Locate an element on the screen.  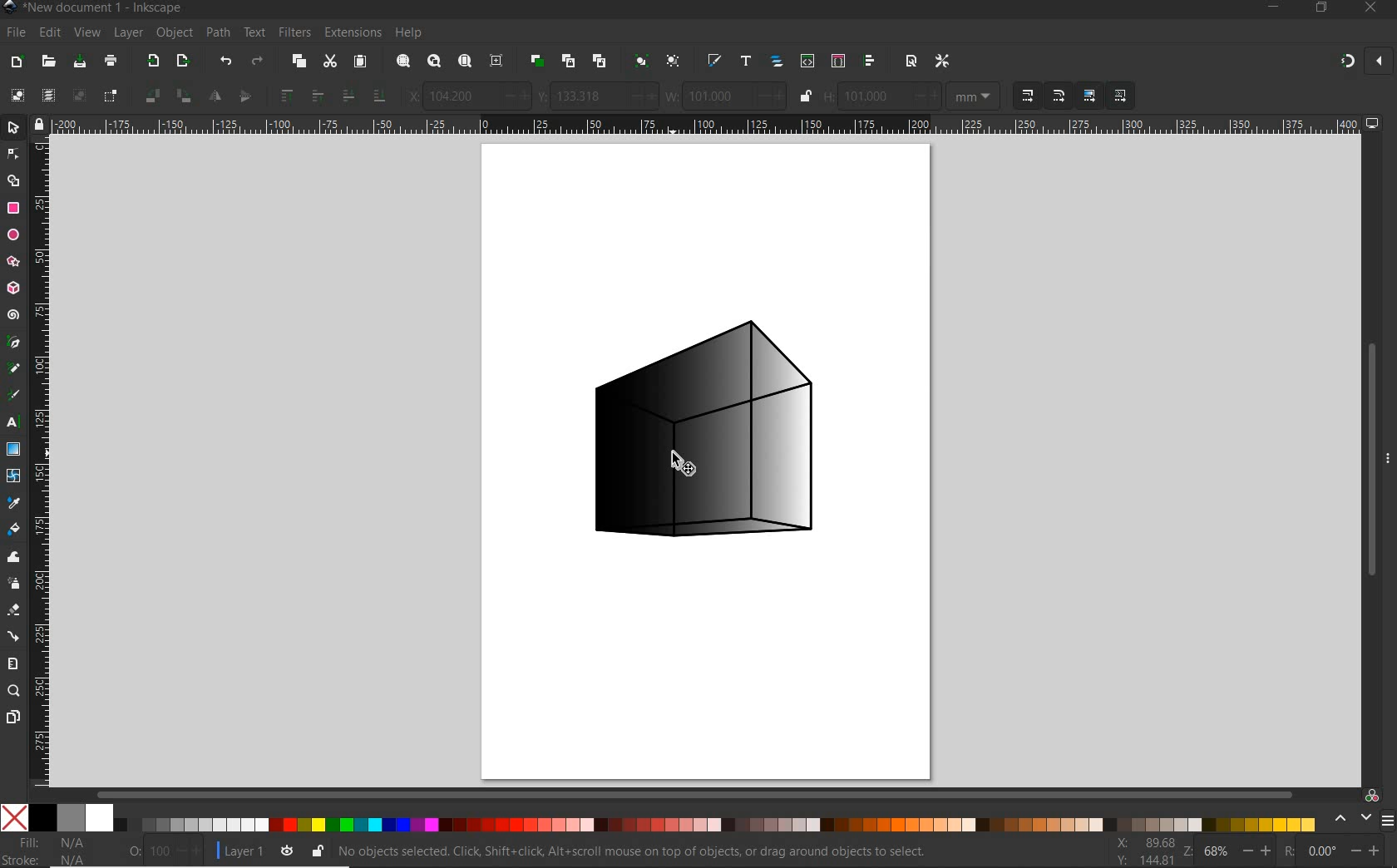
increase/decrease is located at coordinates (187, 851).